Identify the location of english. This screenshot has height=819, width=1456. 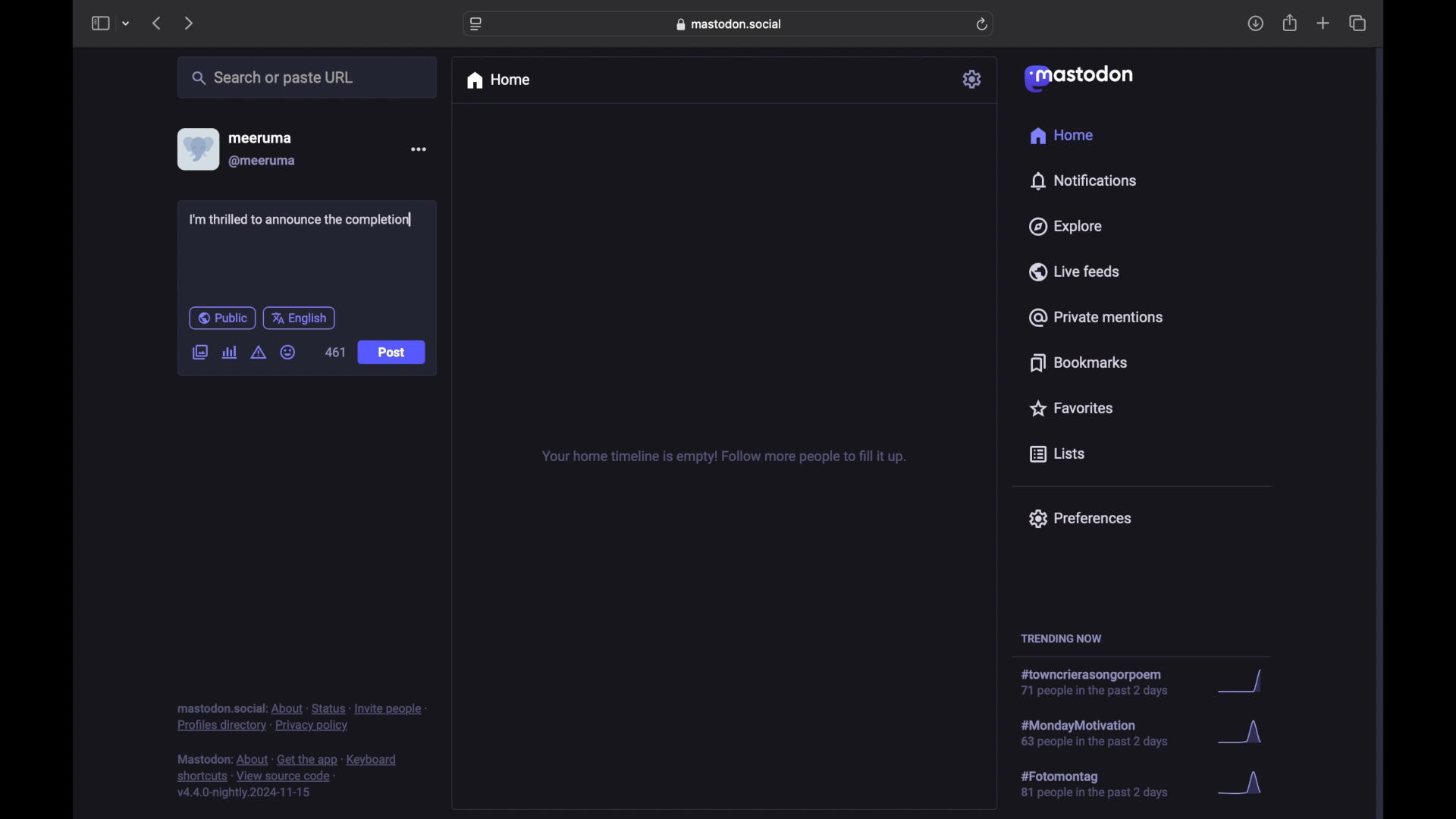
(299, 319).